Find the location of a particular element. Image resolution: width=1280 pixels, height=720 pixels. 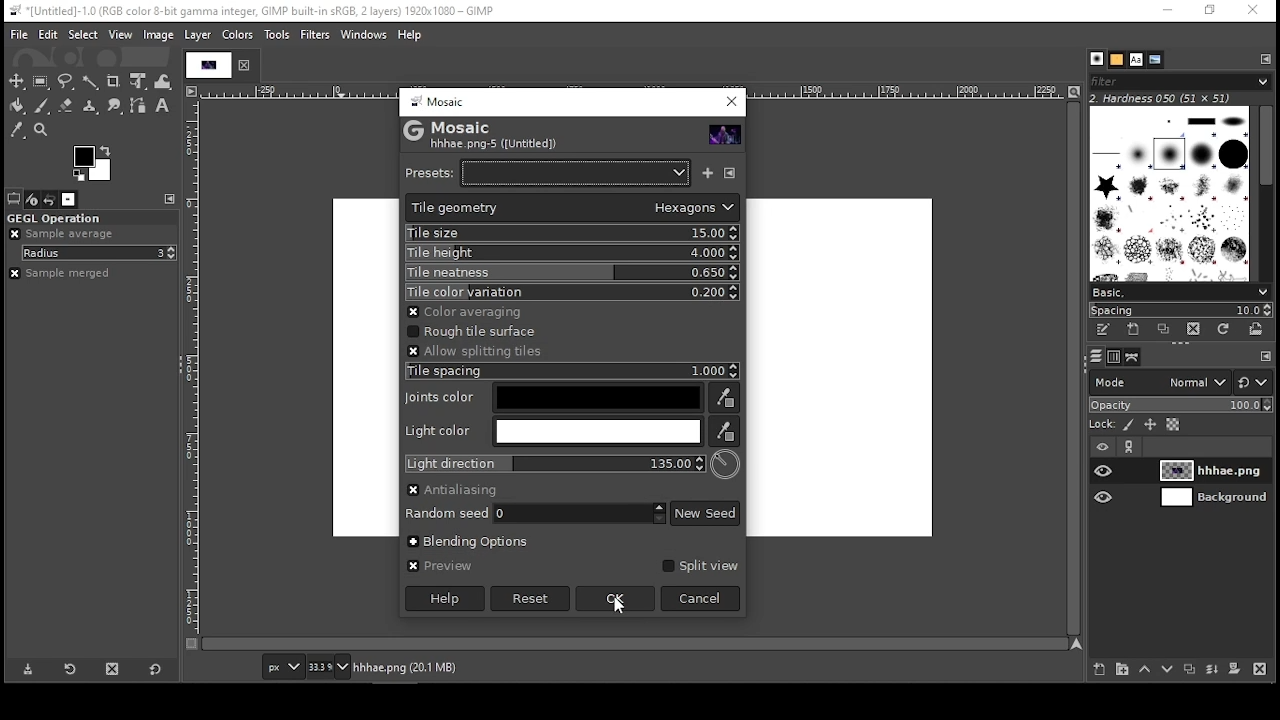

restore is located at coordinates (1211, 10).